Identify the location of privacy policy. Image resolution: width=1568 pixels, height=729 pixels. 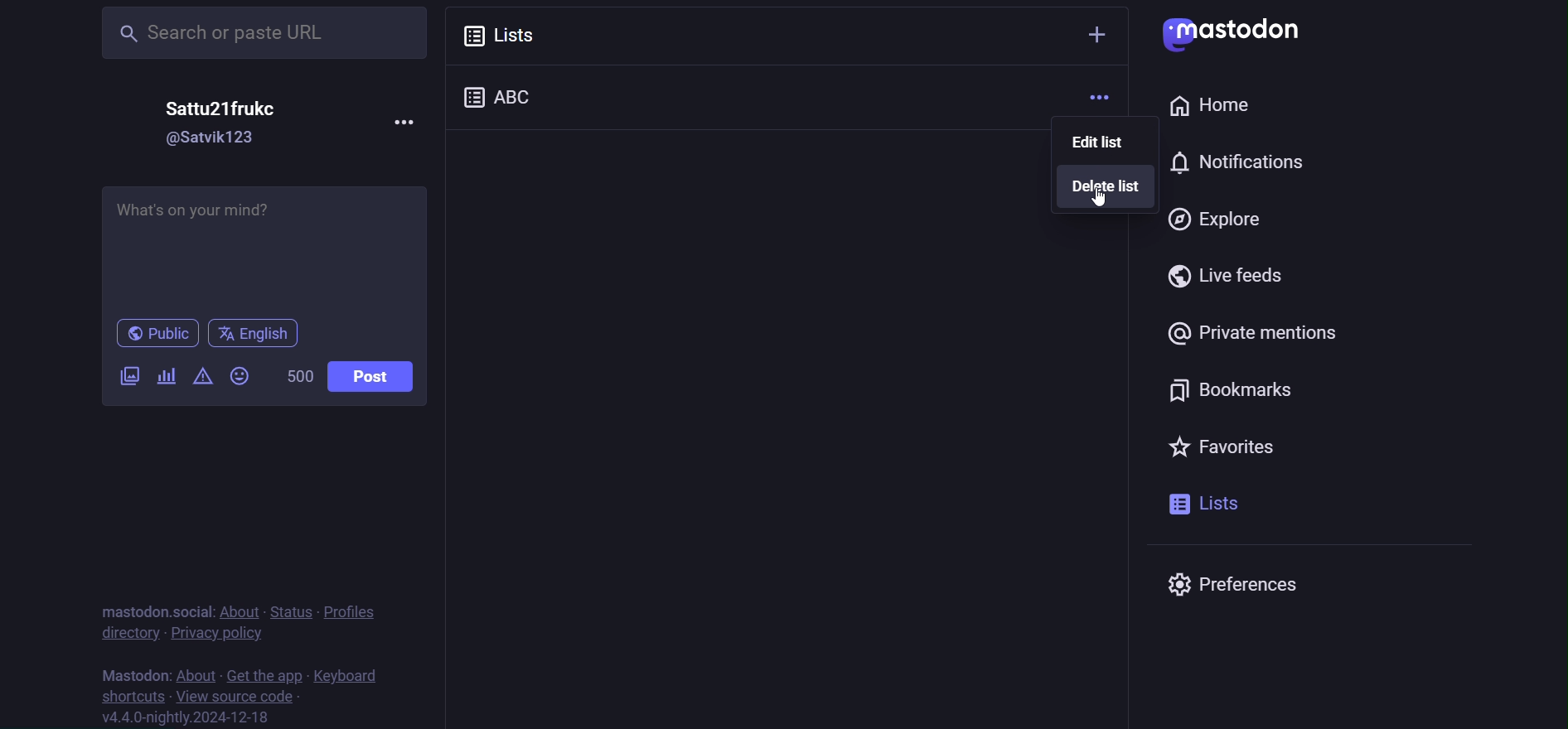
(217, 633).